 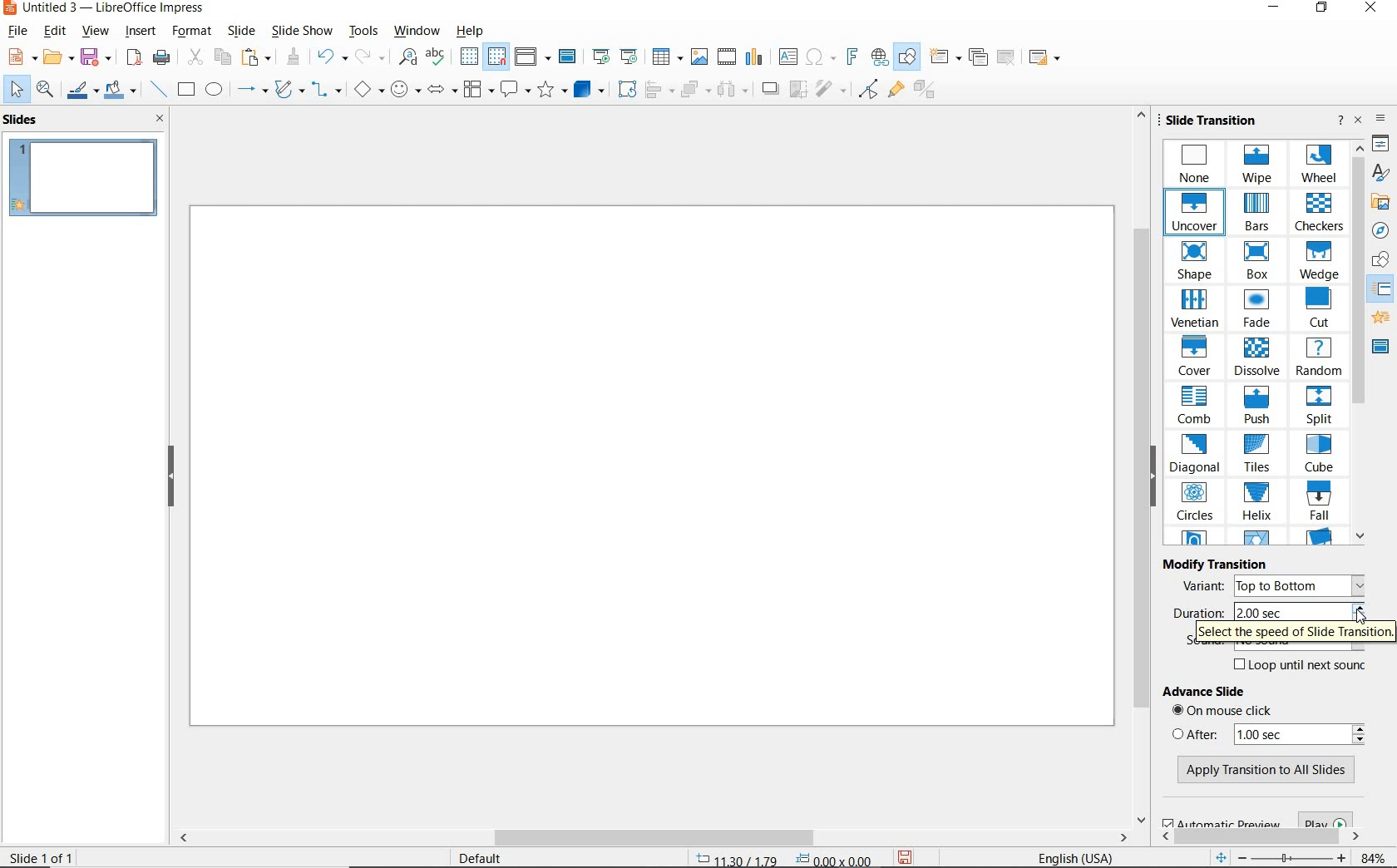 I want to click on DURATION: 2.00 sec, so click(x=1266, y=611).